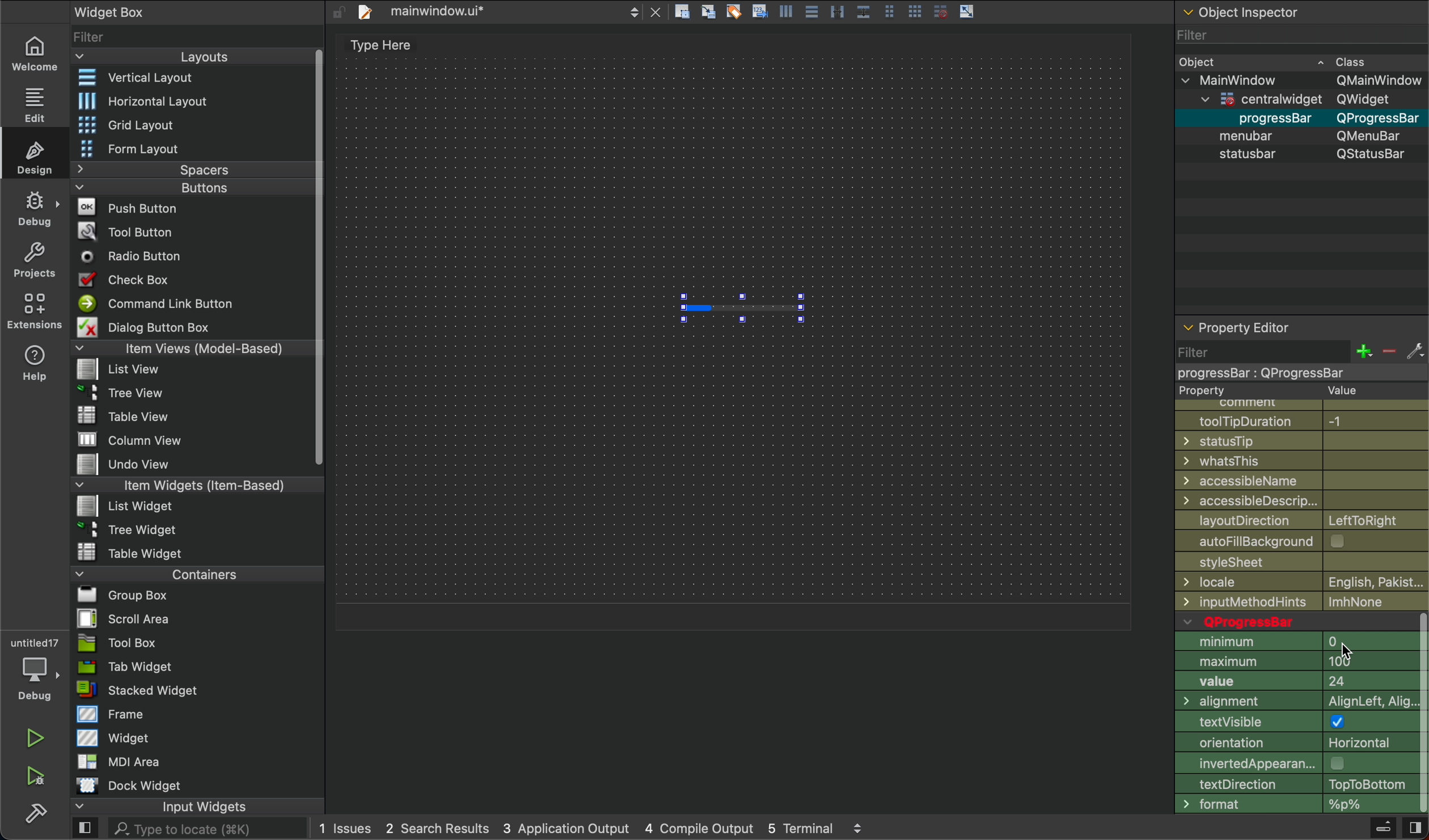  I want to click on Filter, so click(1299, 34).